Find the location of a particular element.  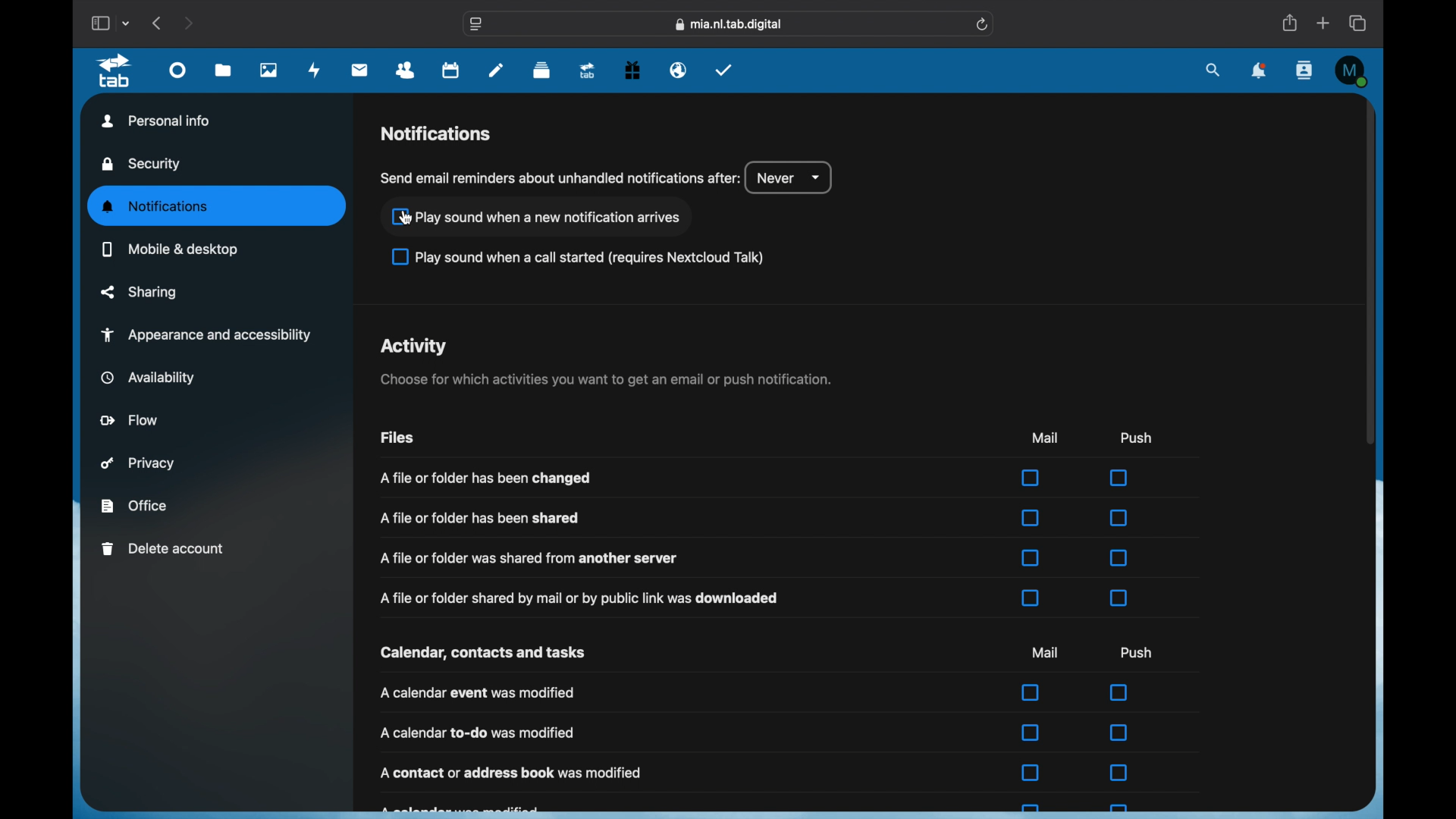

delete account is located at coordinates (164, 549).